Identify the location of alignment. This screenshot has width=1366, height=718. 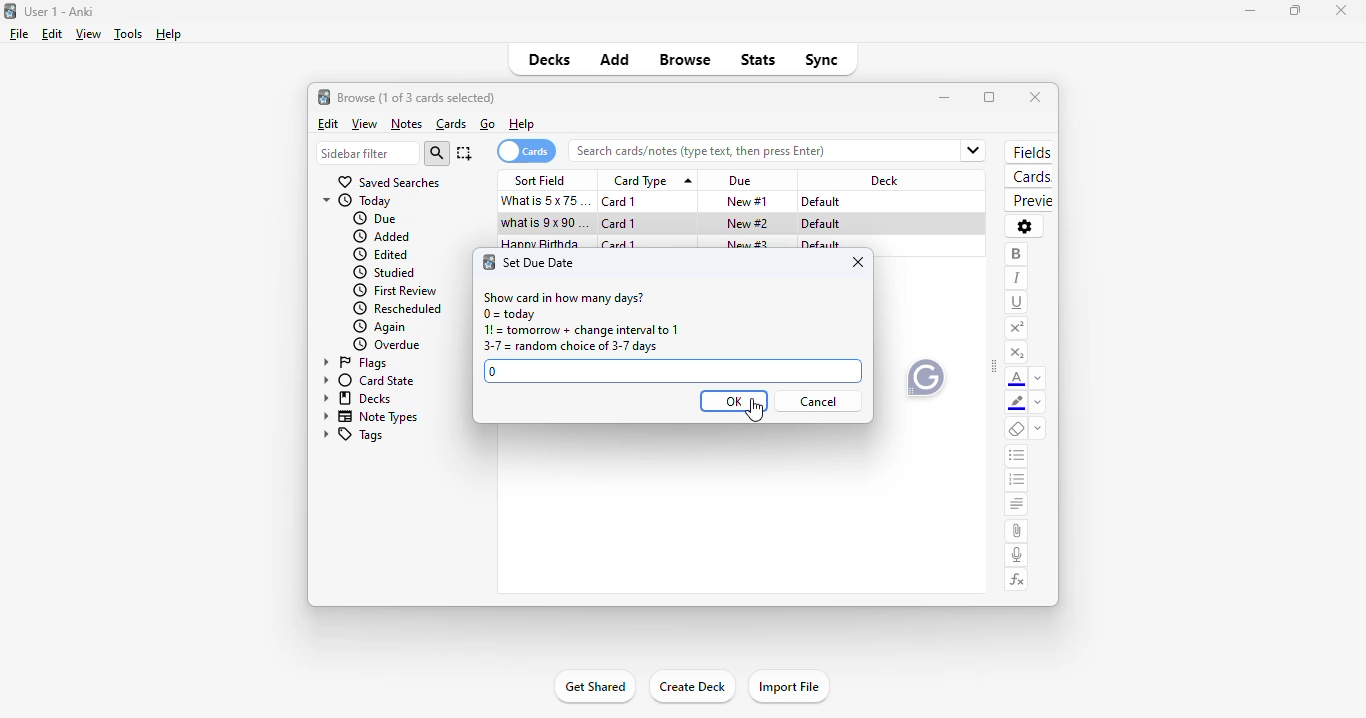
(1016, 504).